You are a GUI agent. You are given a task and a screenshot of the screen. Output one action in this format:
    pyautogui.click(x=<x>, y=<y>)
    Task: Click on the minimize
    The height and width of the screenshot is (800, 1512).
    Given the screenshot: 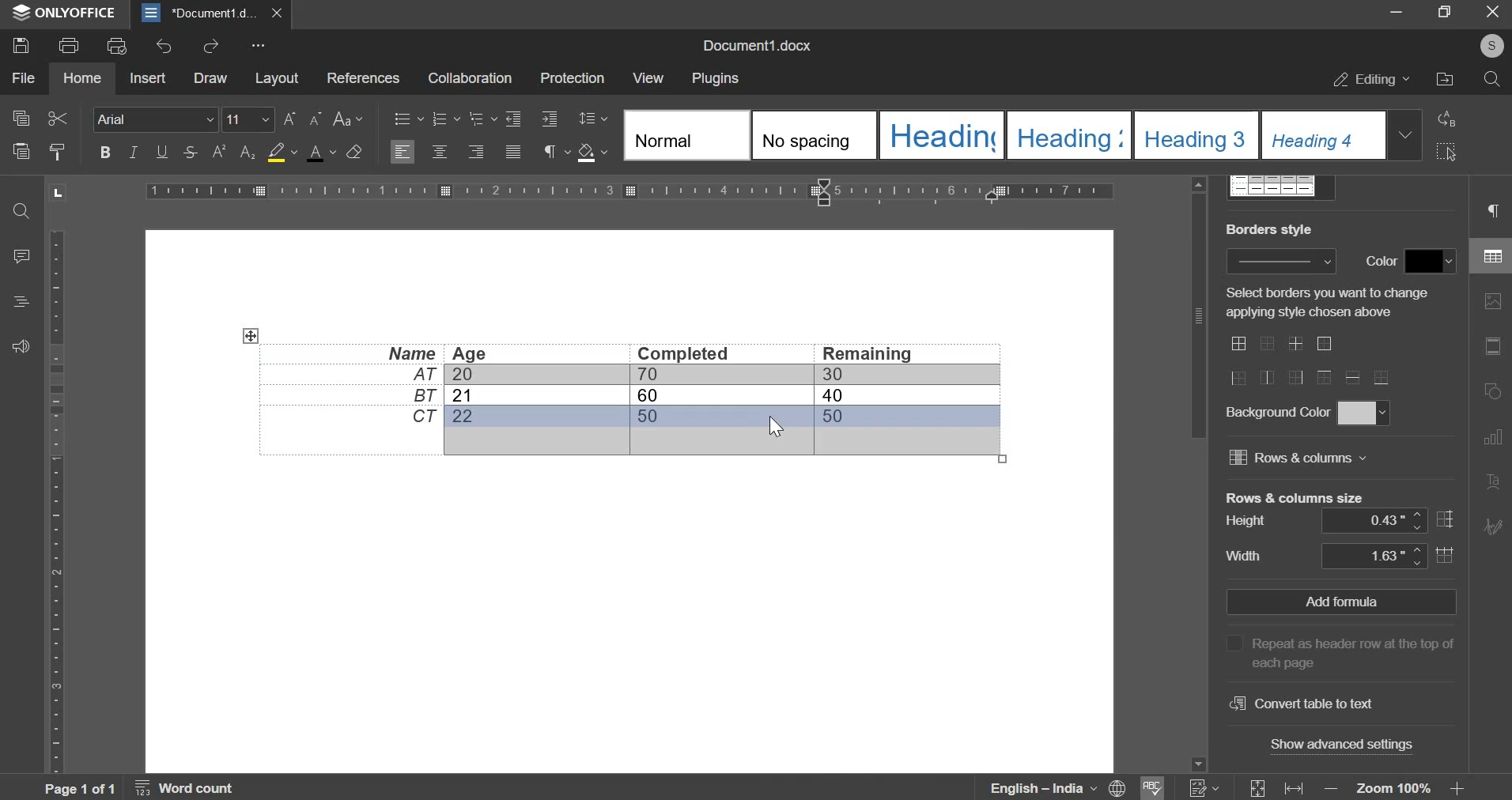 What is the action you would take?
    pyautogui.click(x=1399, y=12)
    